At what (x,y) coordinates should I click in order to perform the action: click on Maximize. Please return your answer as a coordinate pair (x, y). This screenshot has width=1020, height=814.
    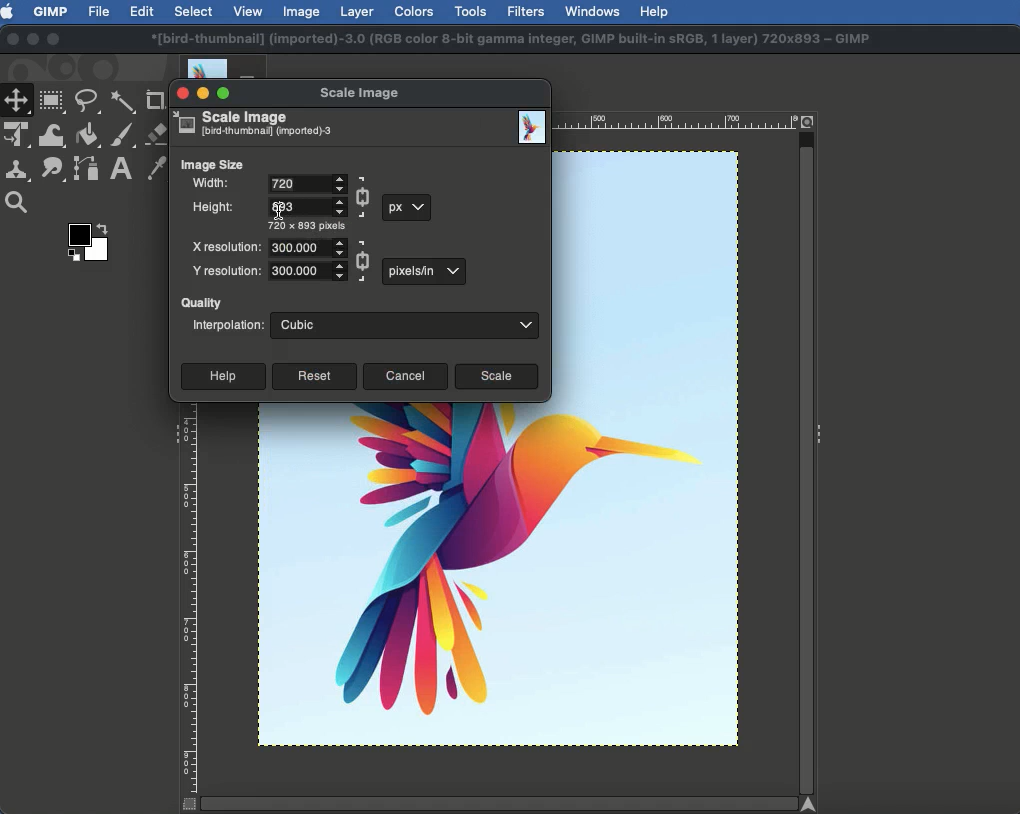
    Looking at the image, I should click on (54, 40).